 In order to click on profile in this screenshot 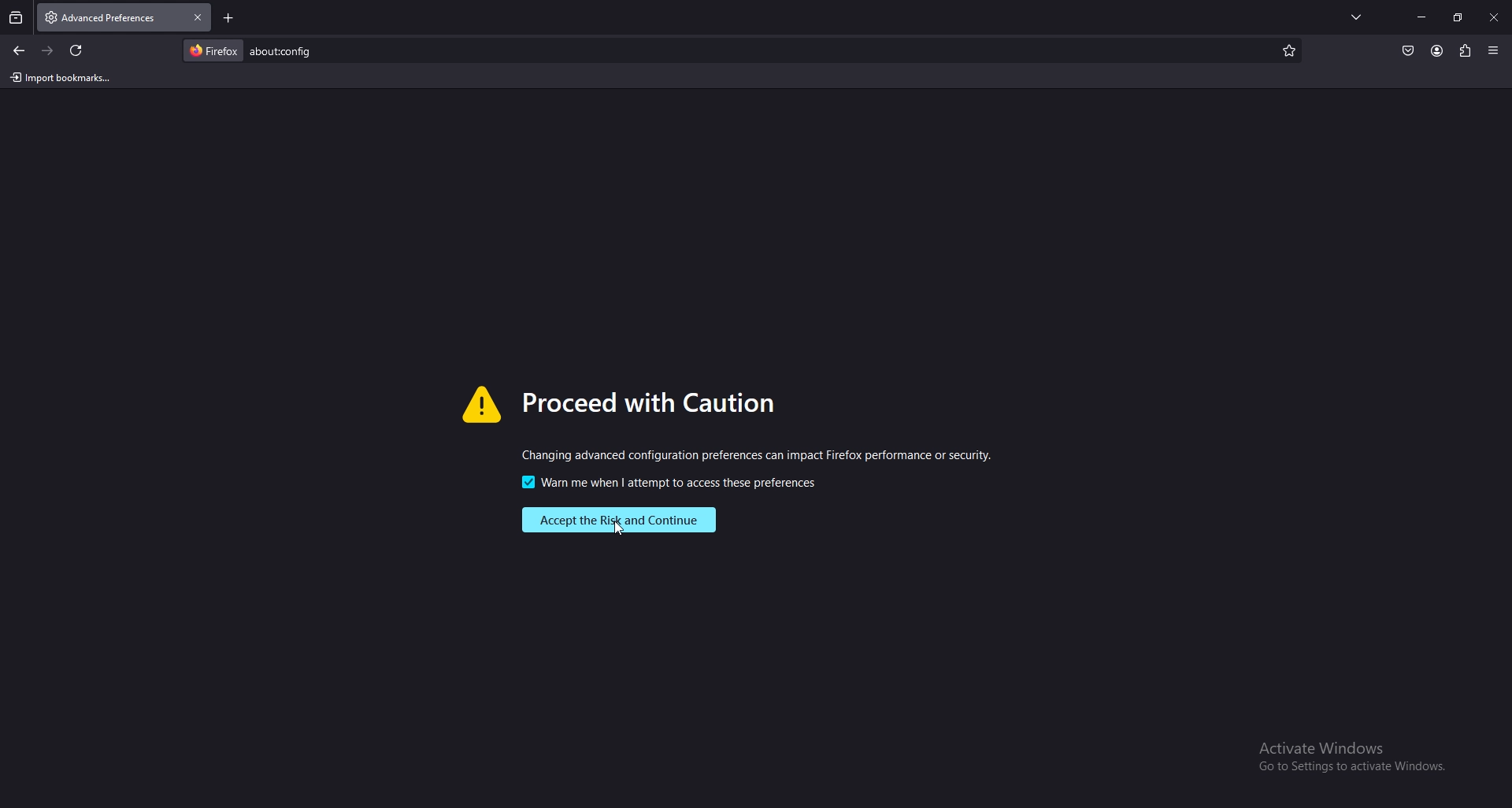, I will do `click(1436, 51)`.